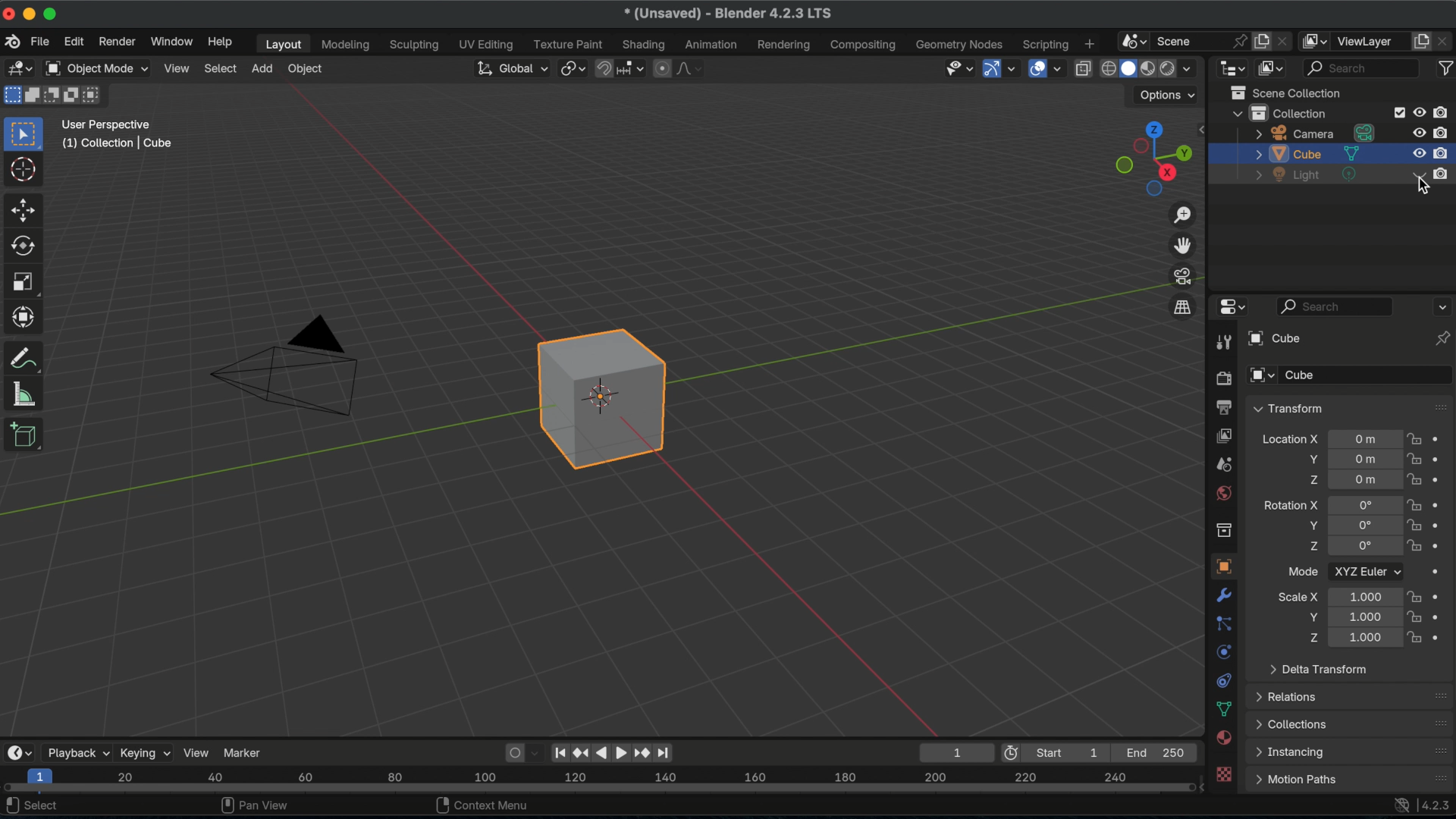 Image resolution: width=1456 pixels, height=819 pixels. Describe the element at coordinates (179, 67) in the screenshot. I see `view` at that location.